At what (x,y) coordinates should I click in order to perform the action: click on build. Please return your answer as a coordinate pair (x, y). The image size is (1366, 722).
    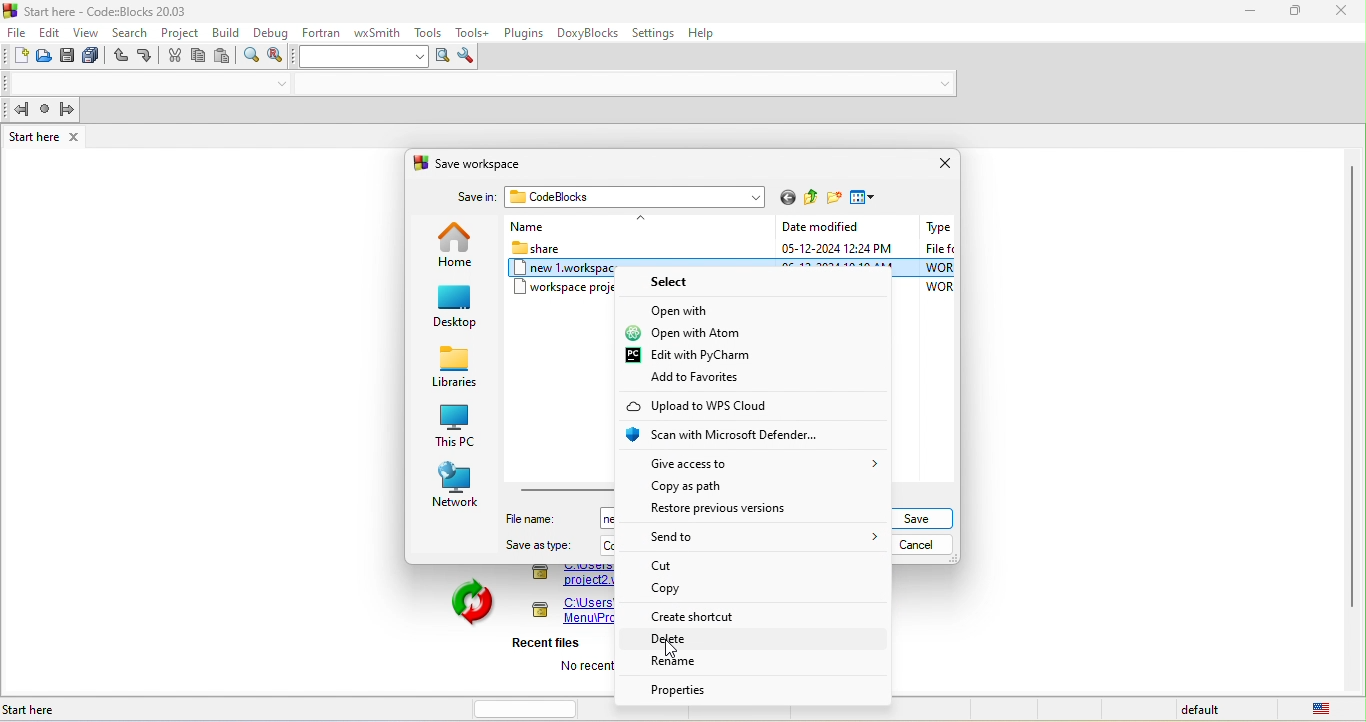
    Looking at the image, I should click on (226, 32).